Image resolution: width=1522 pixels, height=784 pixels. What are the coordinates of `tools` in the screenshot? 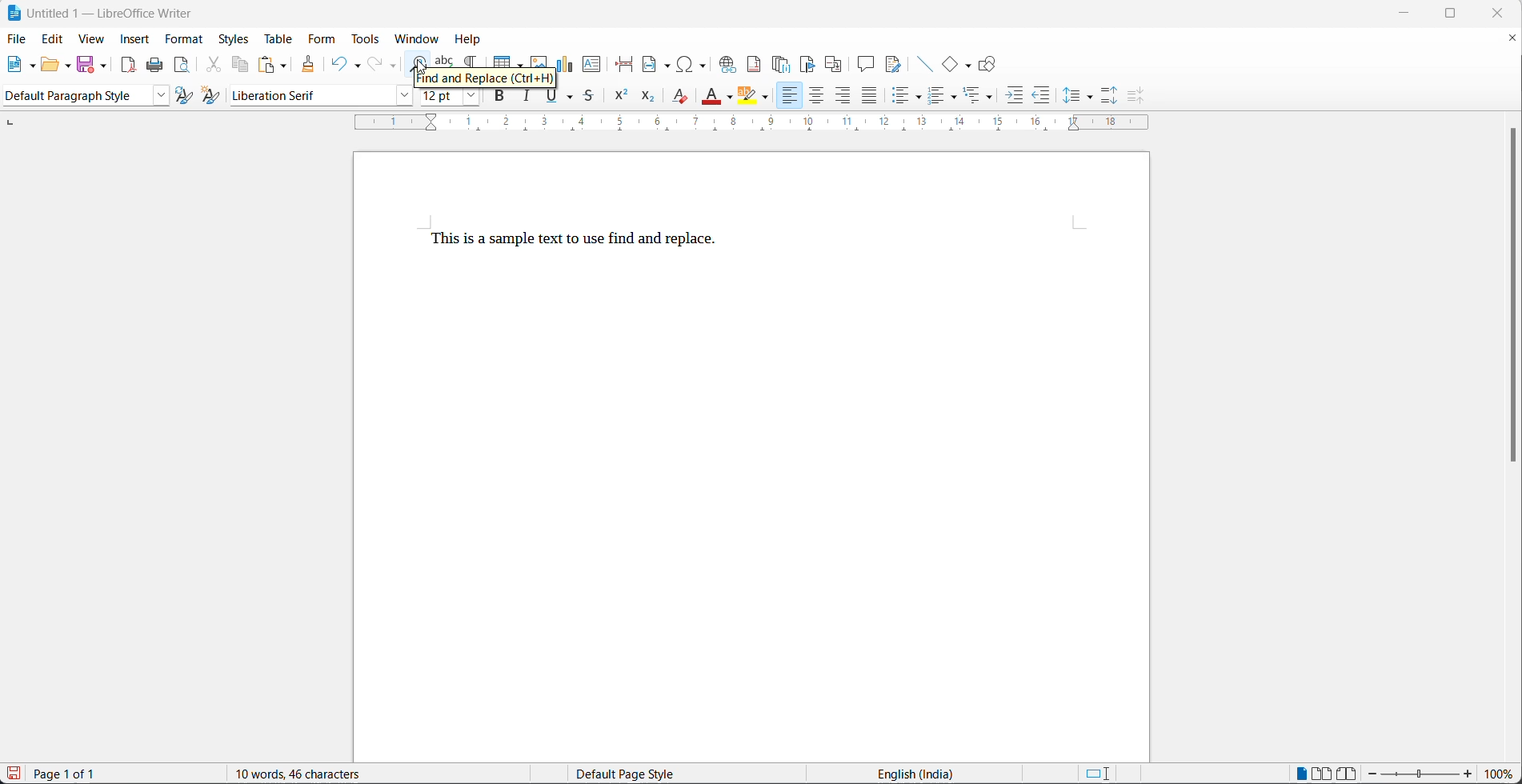 It's located at (368, 39).